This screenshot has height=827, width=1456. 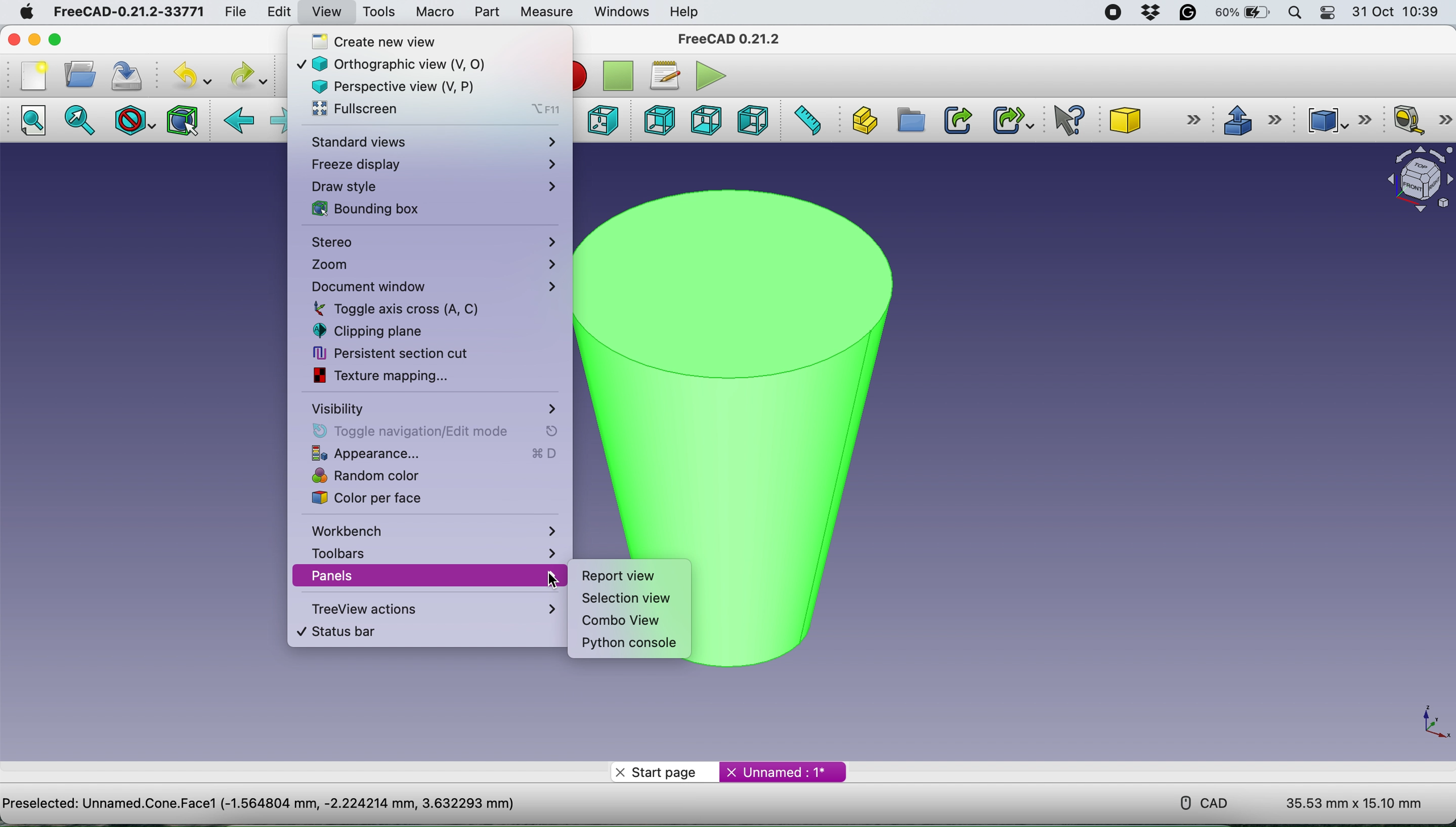 What do you see at coordinates (602, 119) in the screenshot?
I see `right` at bounding box center [602, 119].